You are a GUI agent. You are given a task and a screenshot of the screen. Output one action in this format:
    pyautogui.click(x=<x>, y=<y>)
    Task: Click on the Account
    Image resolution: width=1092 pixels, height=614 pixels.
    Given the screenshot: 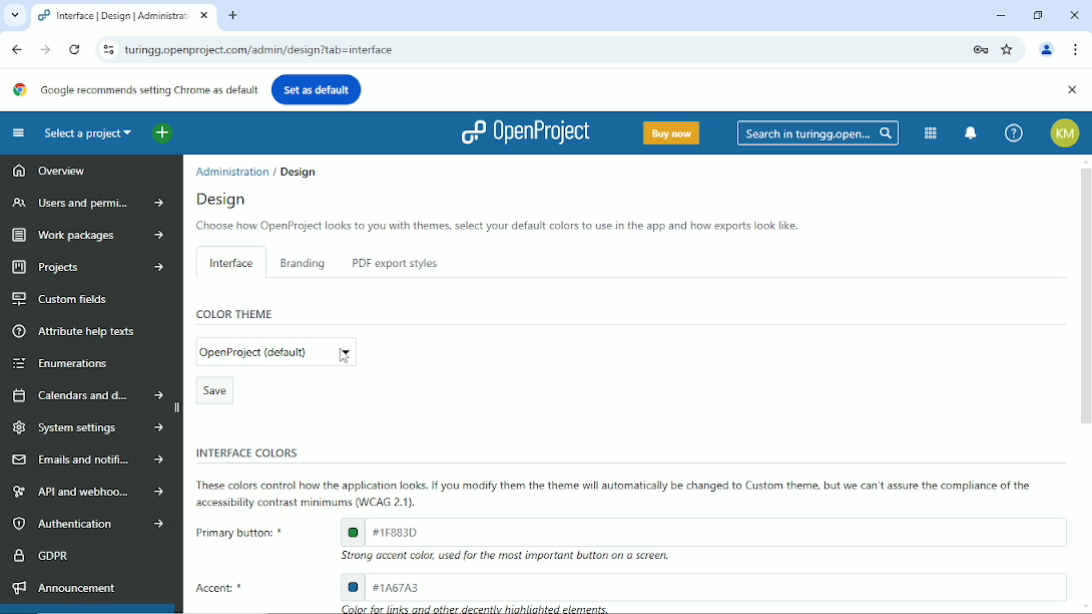 What is the action you would take?
    pyautogui.click(x=1048, y=48)
    